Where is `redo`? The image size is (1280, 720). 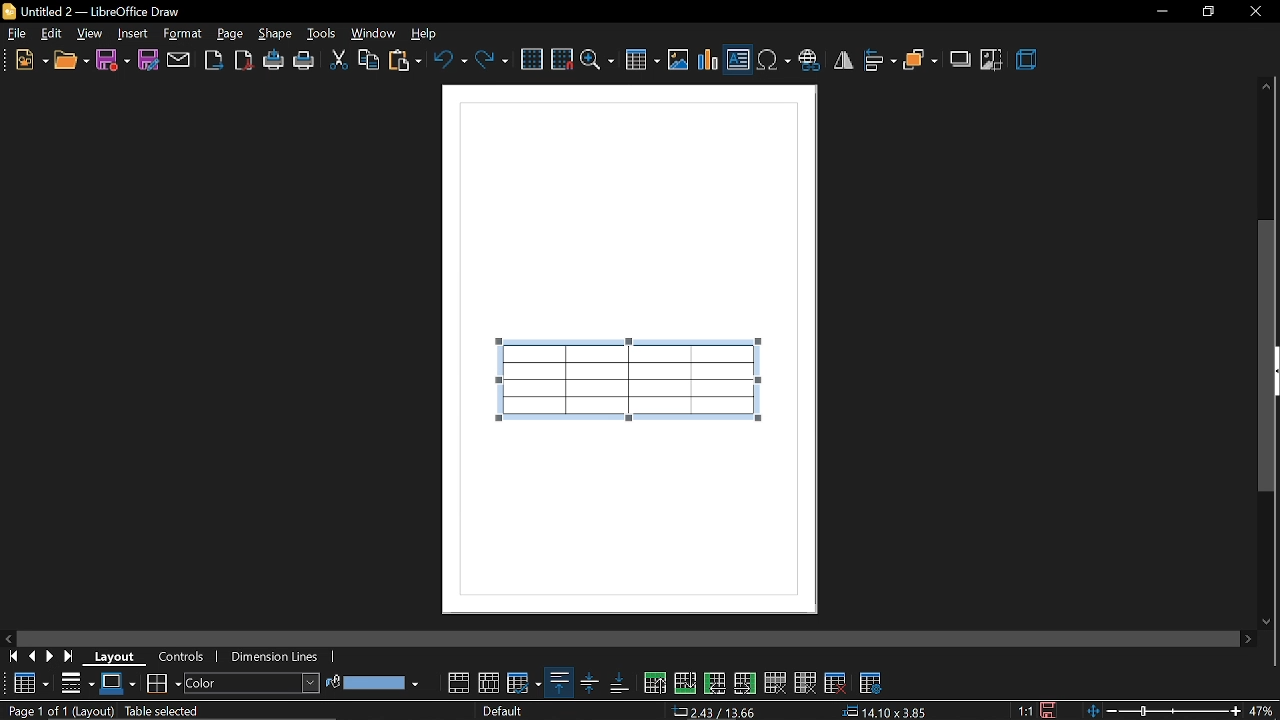 redo is located at coordinates (493, 62).